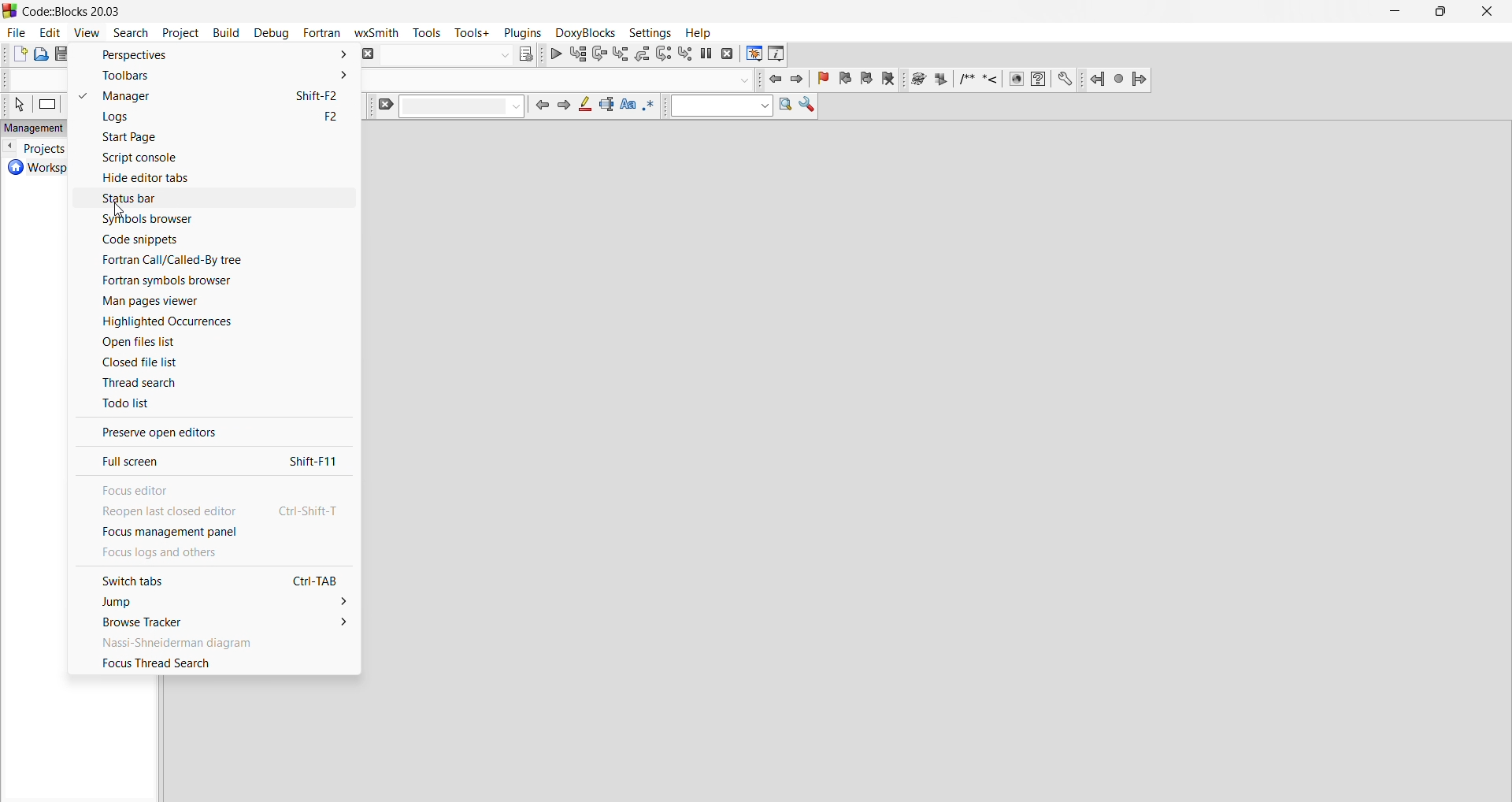 The height and width of the screenshot is (802, 1512). Describe the element at coordinates (1143, 80) in the screenshot. I see `Jump forward` at that location.